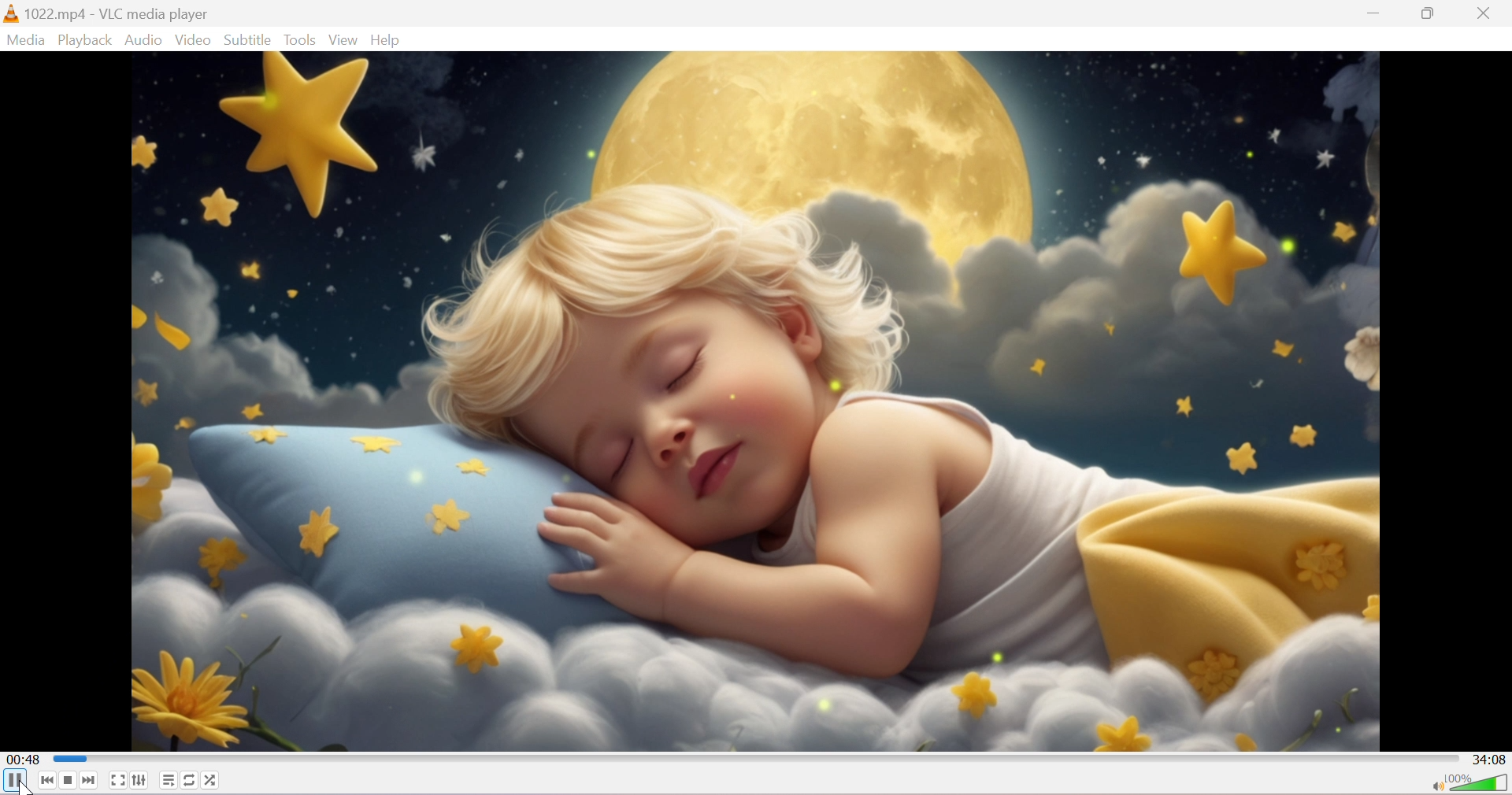 This screenshot has height=795, width=1512. I want to click on Stop playback, so click(71, 781).